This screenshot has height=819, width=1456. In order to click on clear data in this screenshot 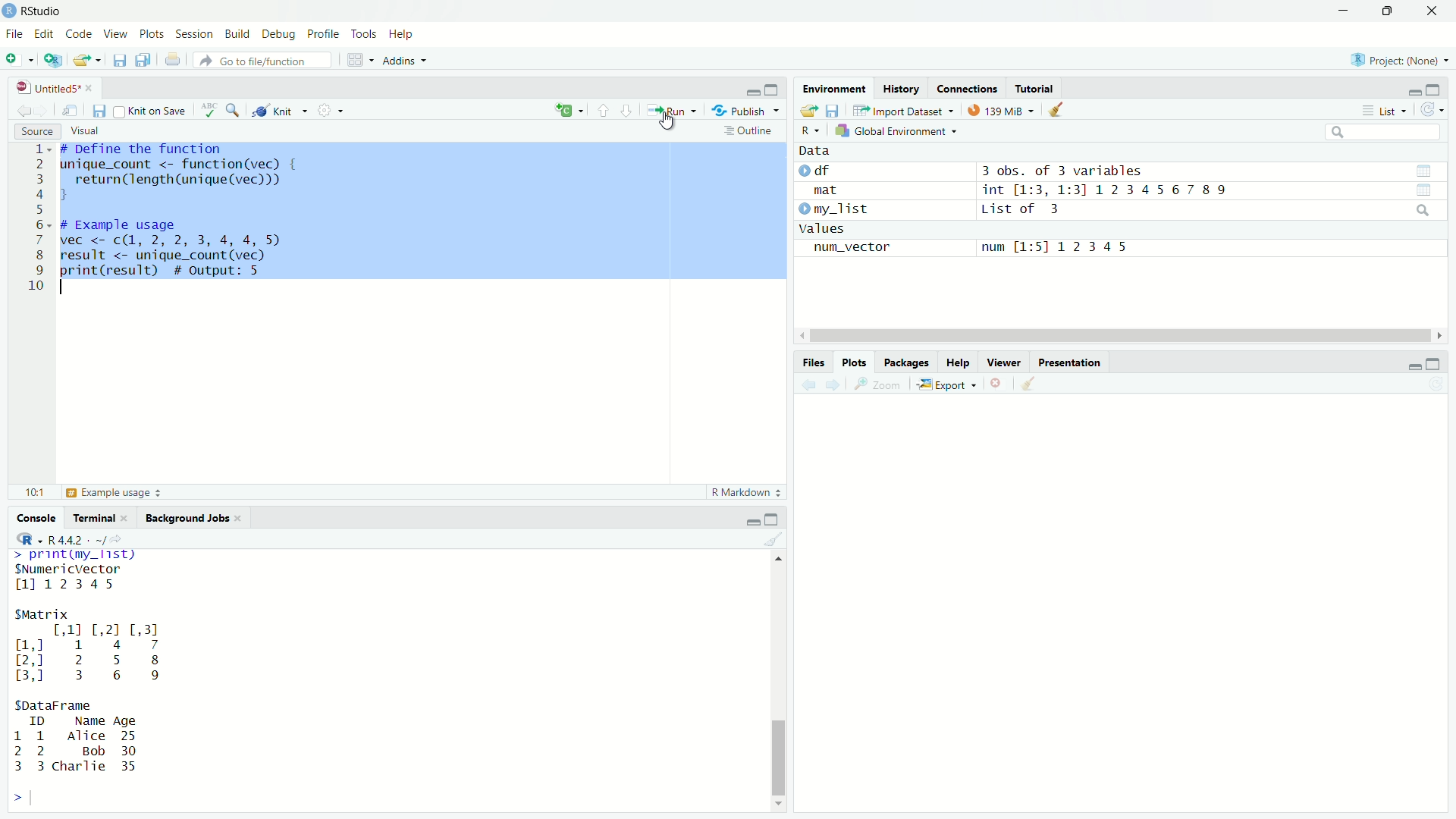, I will do `click(1058, 110)`.